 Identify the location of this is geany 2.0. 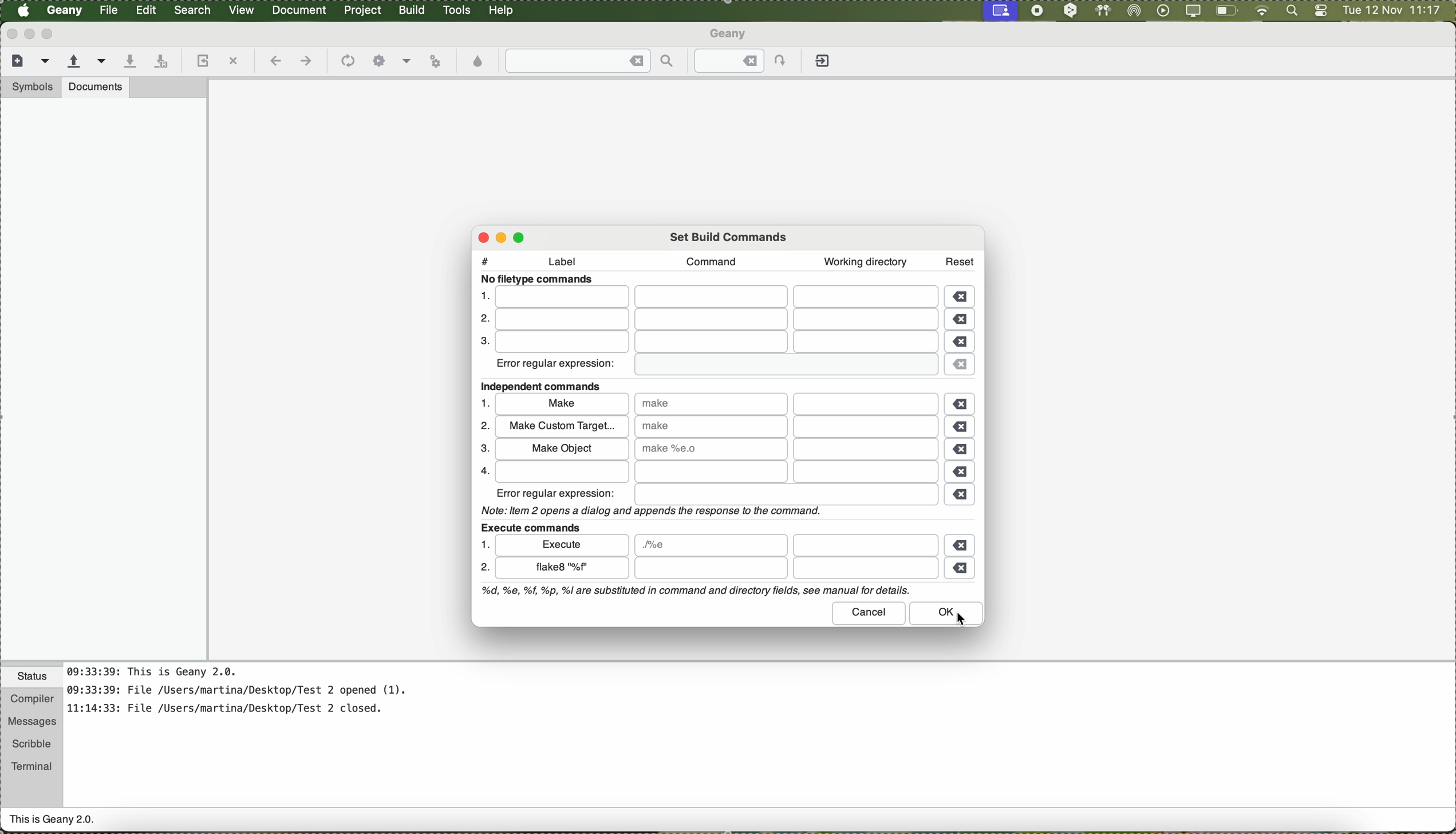
(53, 821).